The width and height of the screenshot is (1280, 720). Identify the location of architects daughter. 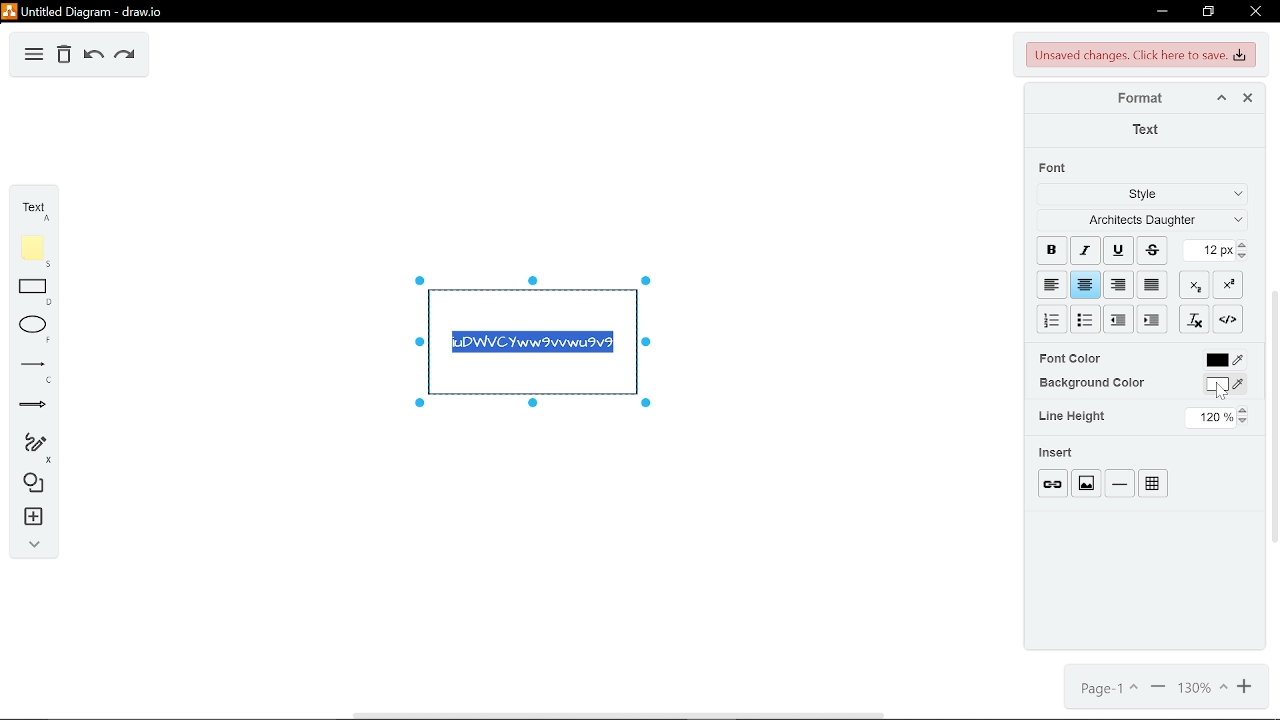
(1139, 222).